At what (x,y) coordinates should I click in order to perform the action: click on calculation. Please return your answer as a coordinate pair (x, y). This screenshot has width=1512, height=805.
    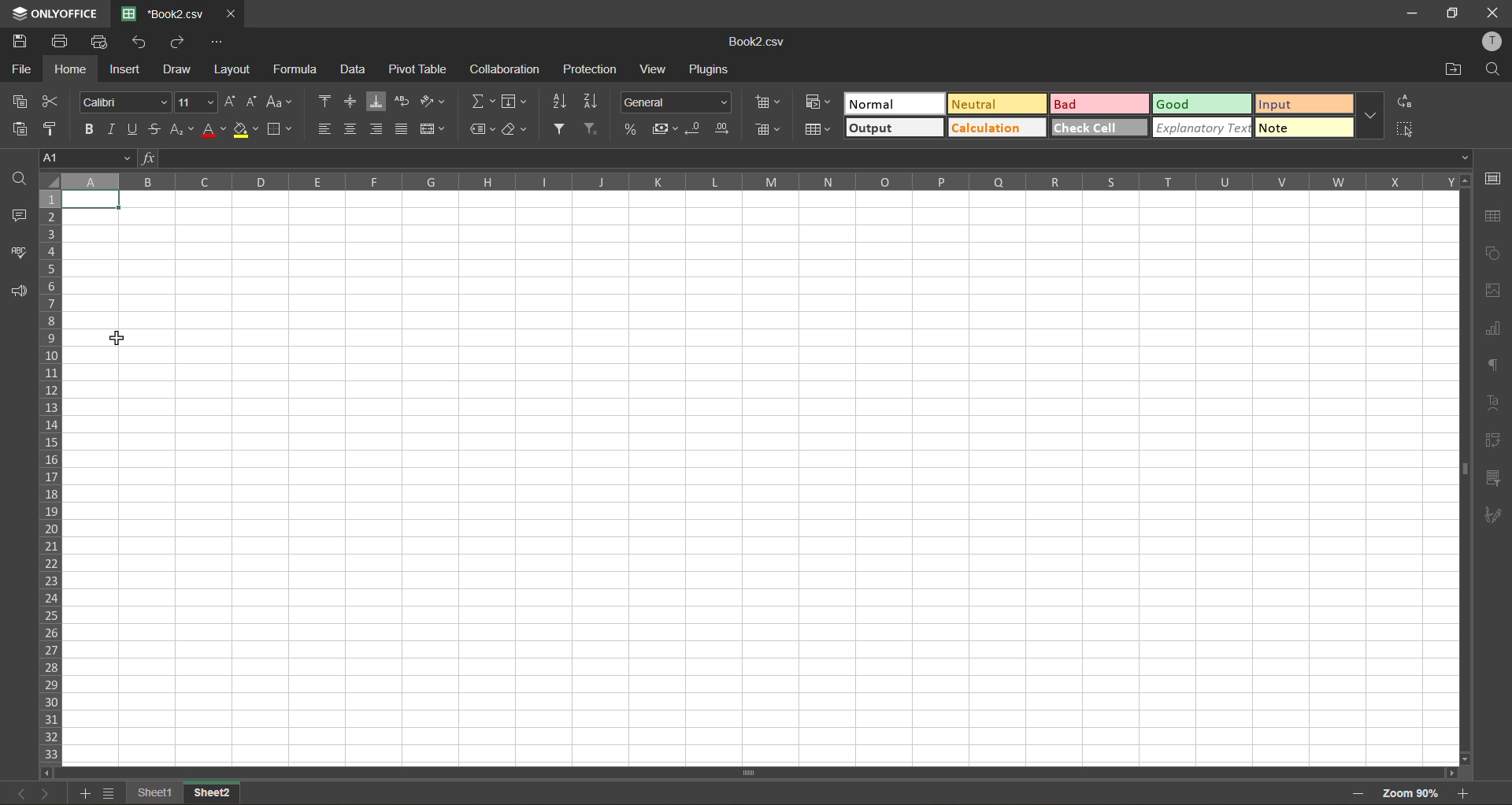
    Looking at the image, I should click on (998, 128).